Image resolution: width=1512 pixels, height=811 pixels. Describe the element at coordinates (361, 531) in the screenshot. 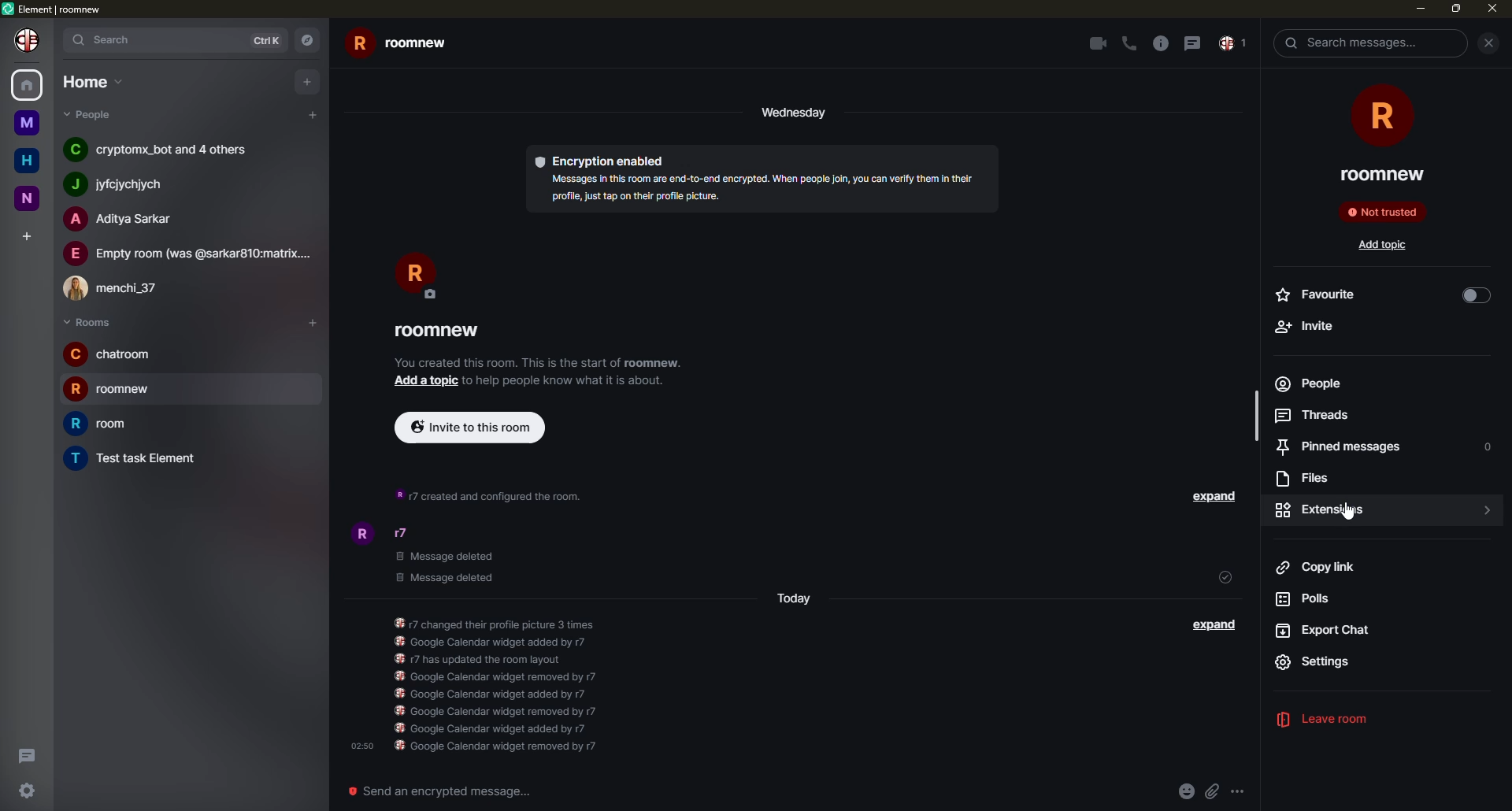

I see `profile` at that location.